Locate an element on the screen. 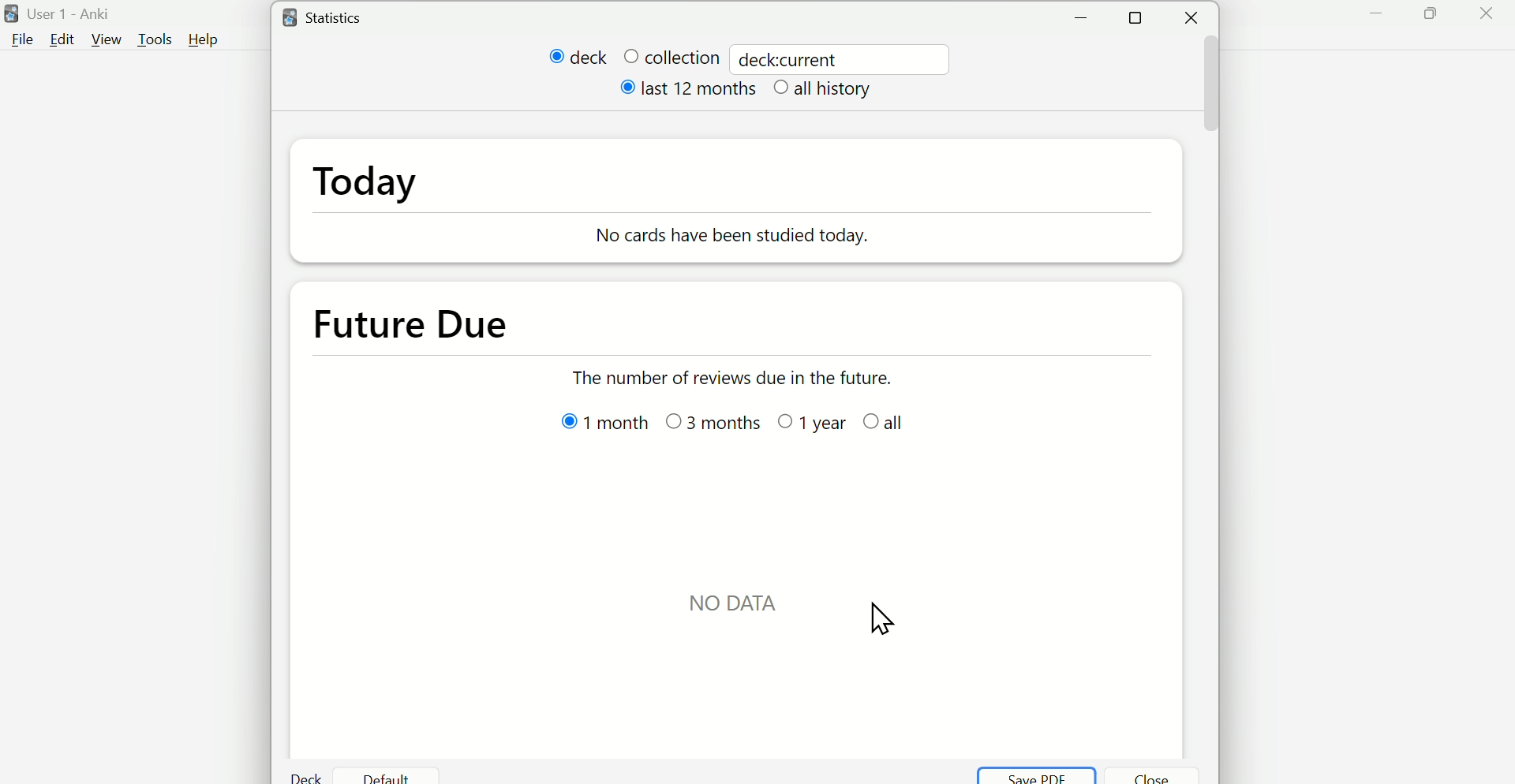 The width and height of the screenshot is (1515, 784). all is located at coordinates (896, 423).